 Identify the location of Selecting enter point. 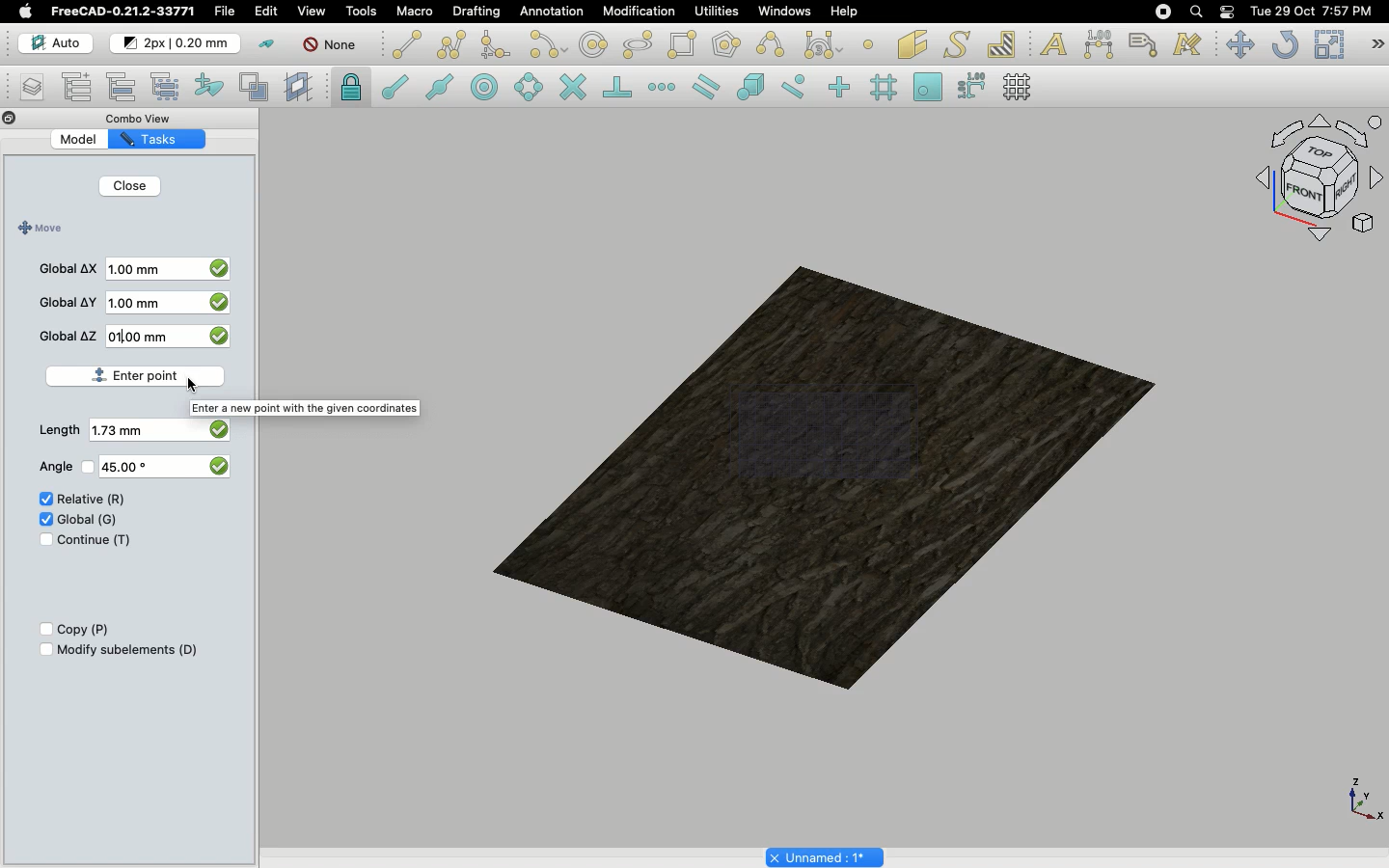
(138, 376).